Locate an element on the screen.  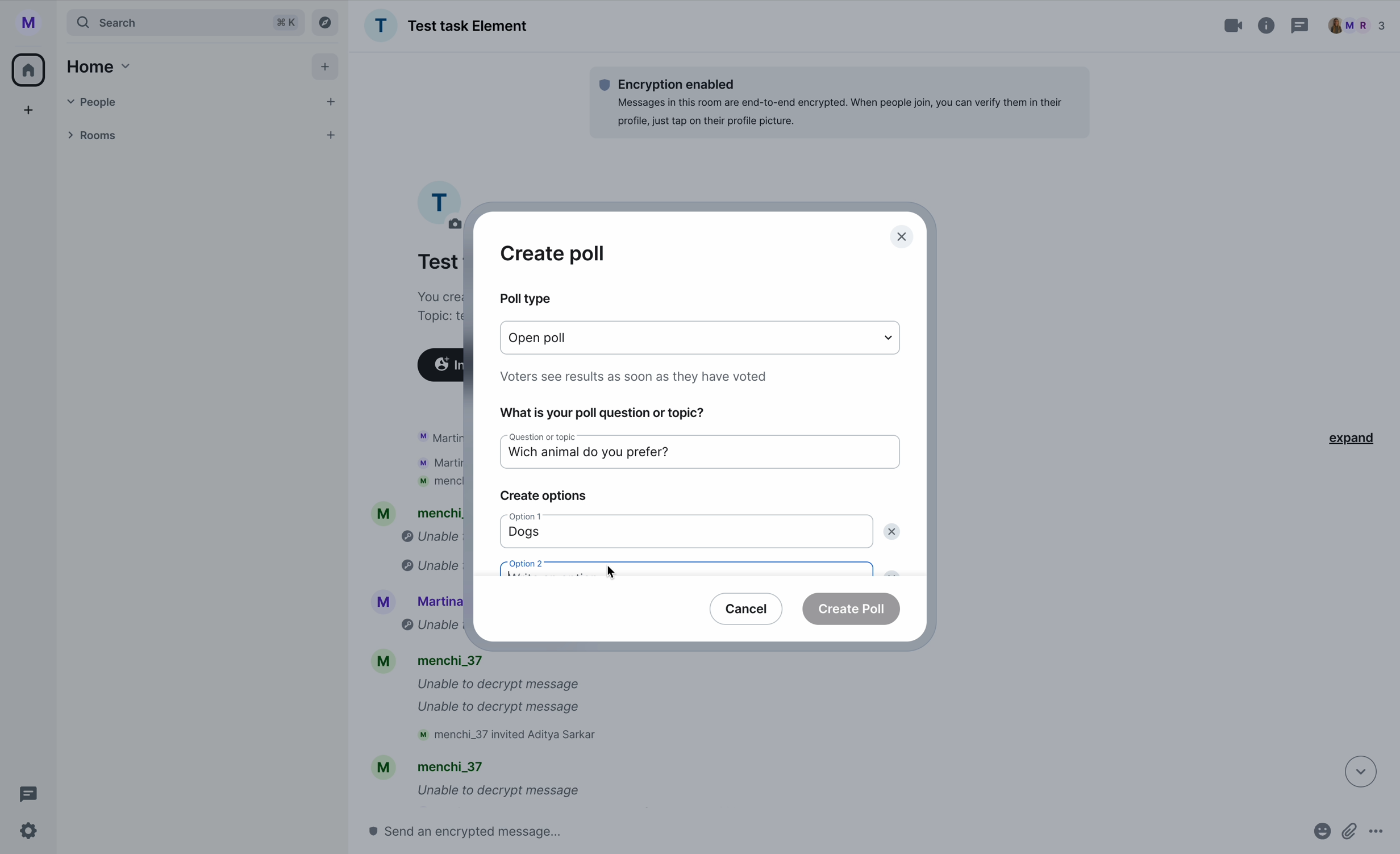
home is located at coordinates (30, 69).